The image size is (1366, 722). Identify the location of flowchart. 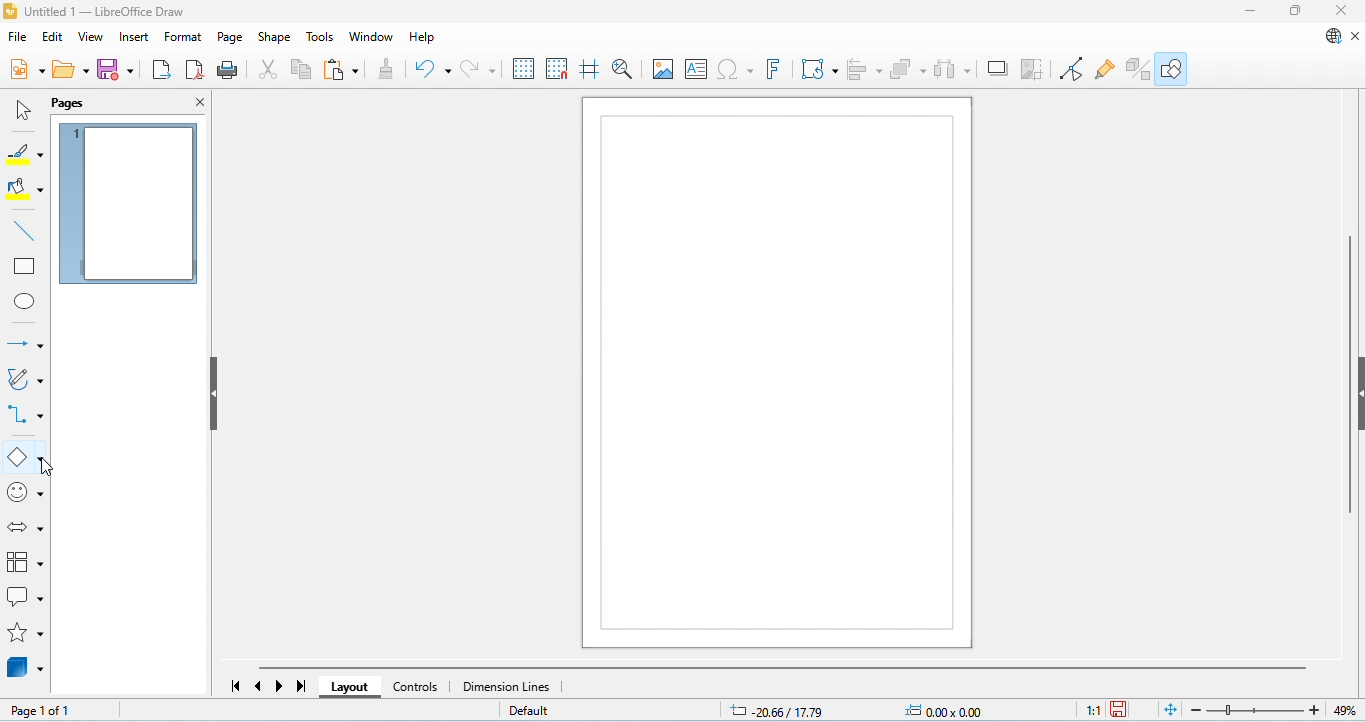
(25, 562).